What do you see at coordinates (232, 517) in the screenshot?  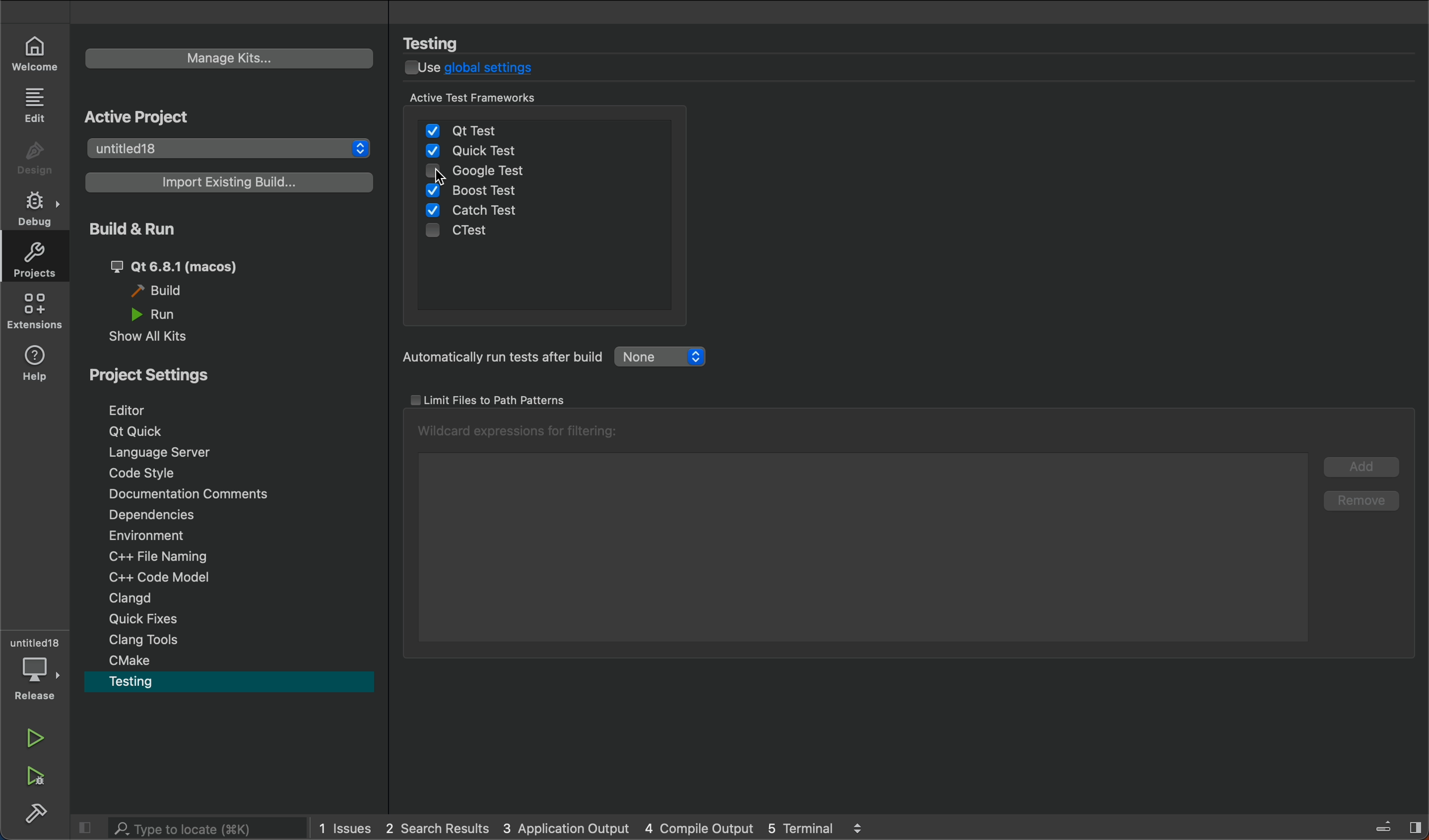 I see `dependencies` at bounding box center [232, 517].